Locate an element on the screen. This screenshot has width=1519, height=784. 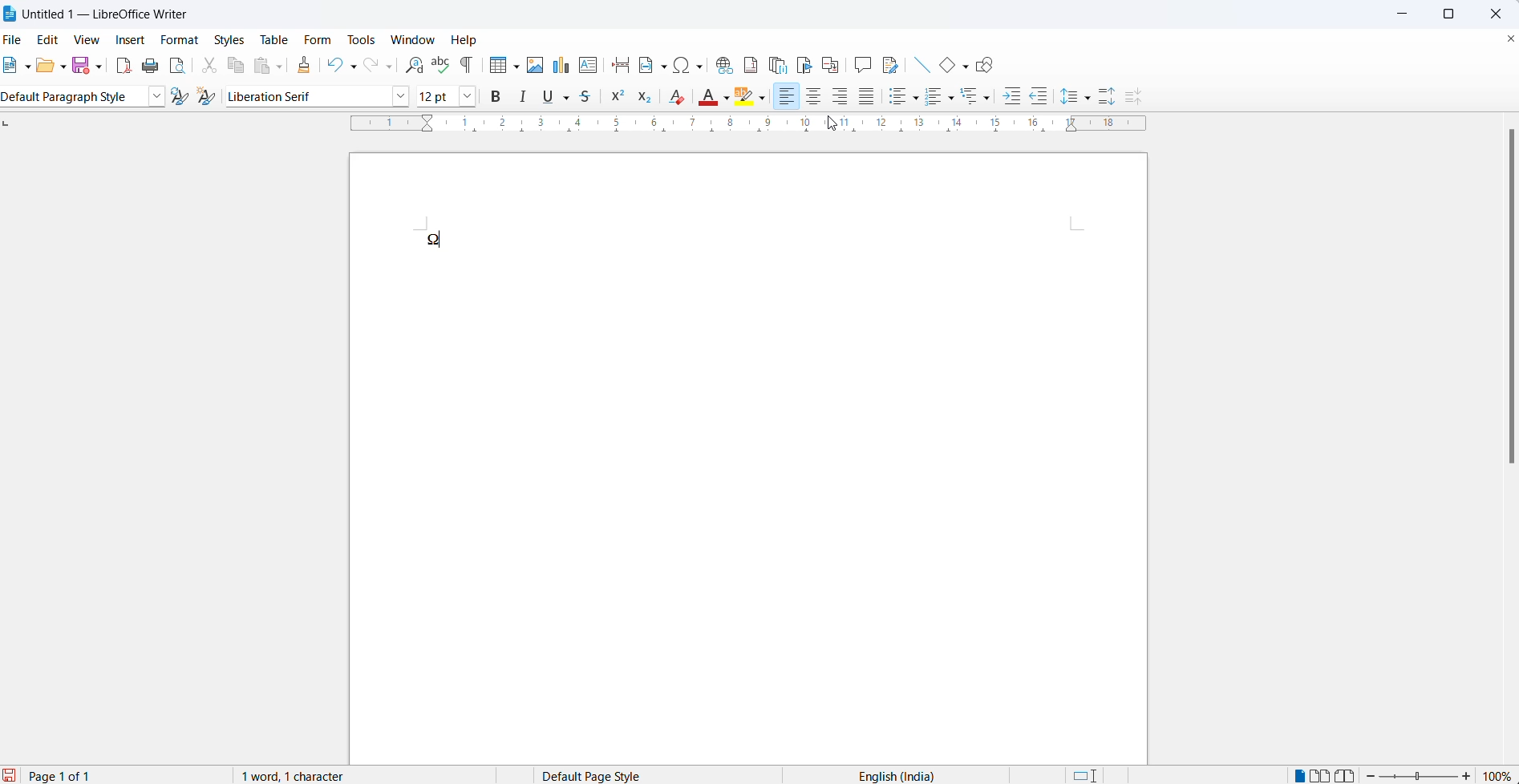
zoom decrease is located at coordinates (1371, 774).